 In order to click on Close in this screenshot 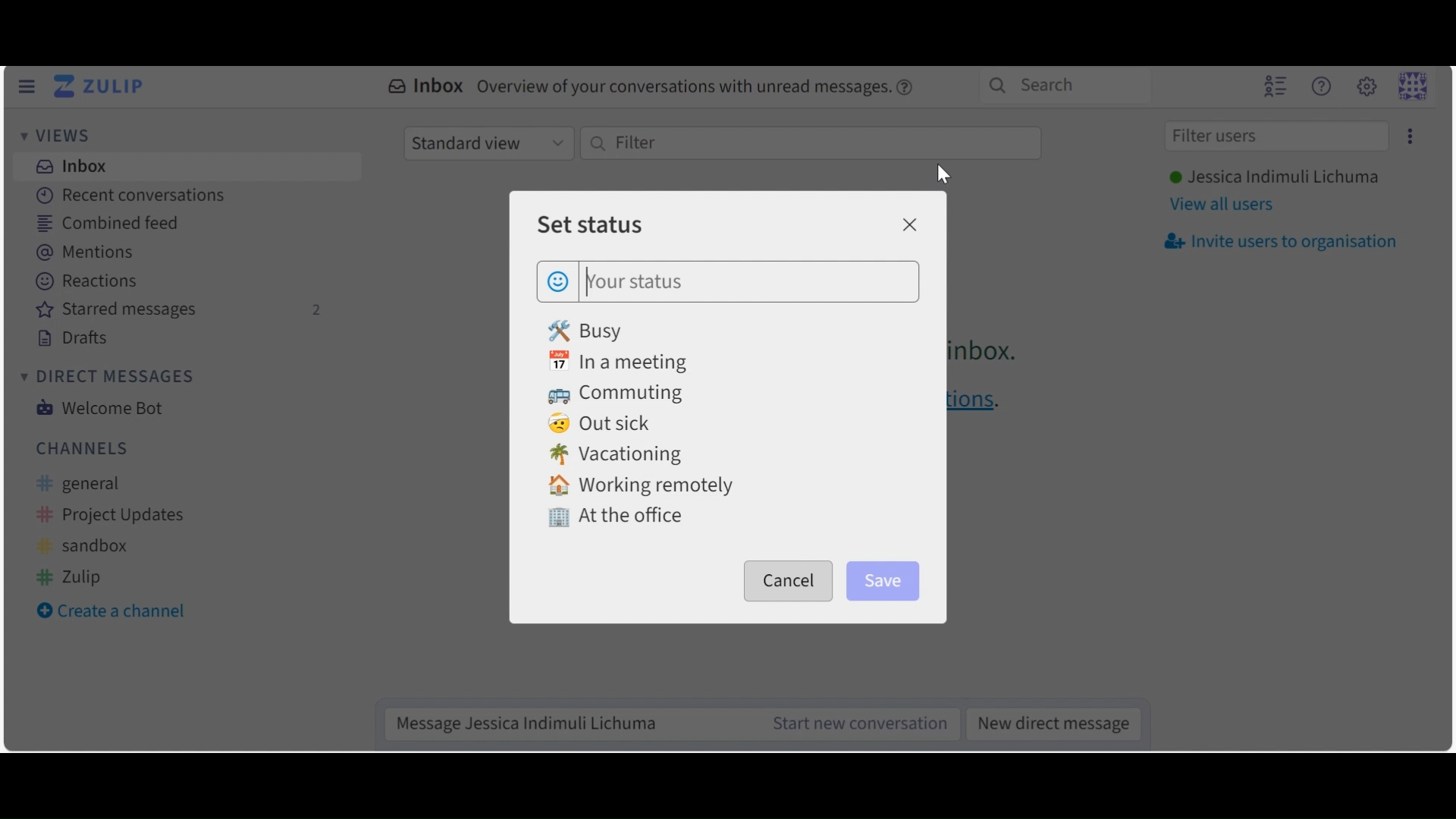, I will do `click(908, 224)`.